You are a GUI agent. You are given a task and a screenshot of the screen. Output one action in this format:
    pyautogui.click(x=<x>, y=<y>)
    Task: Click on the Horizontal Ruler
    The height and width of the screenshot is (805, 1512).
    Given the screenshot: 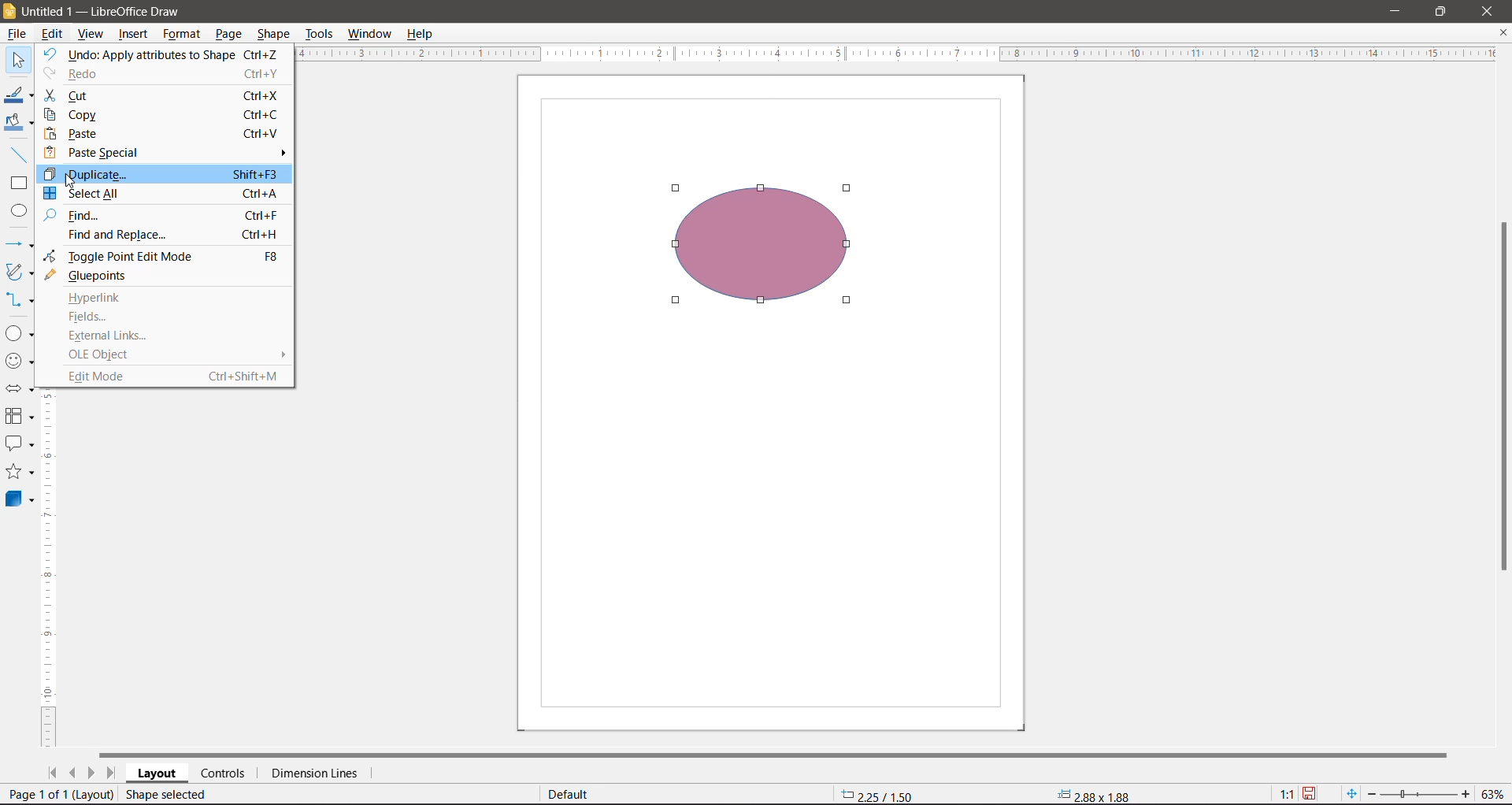 What is the action you would take?
    pyautogui.click(x=906, y=54)
    